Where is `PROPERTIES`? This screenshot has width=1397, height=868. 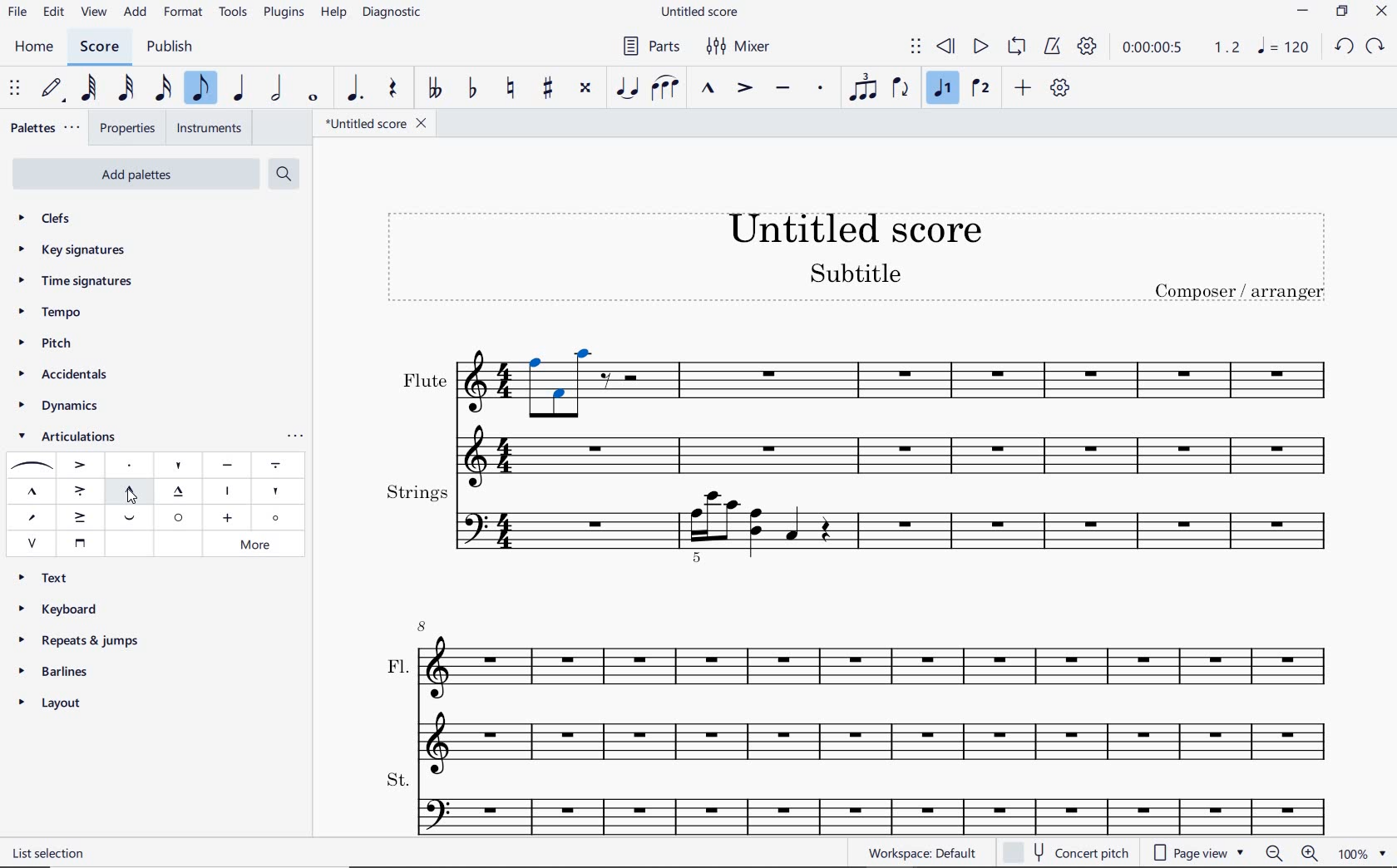 PROPERTIES is located at coordinates (131, 126).